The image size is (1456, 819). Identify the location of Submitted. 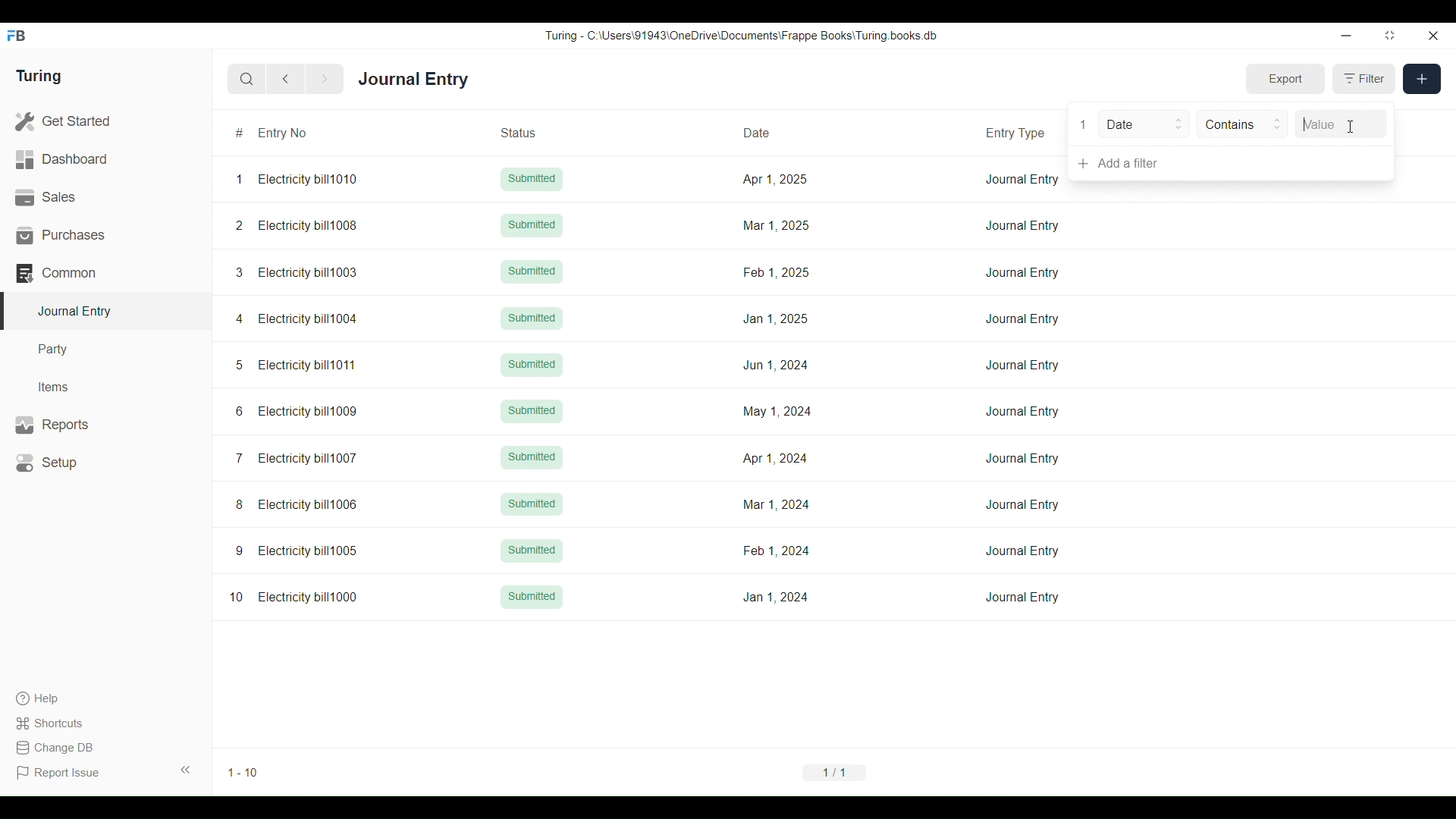
(532, 596).